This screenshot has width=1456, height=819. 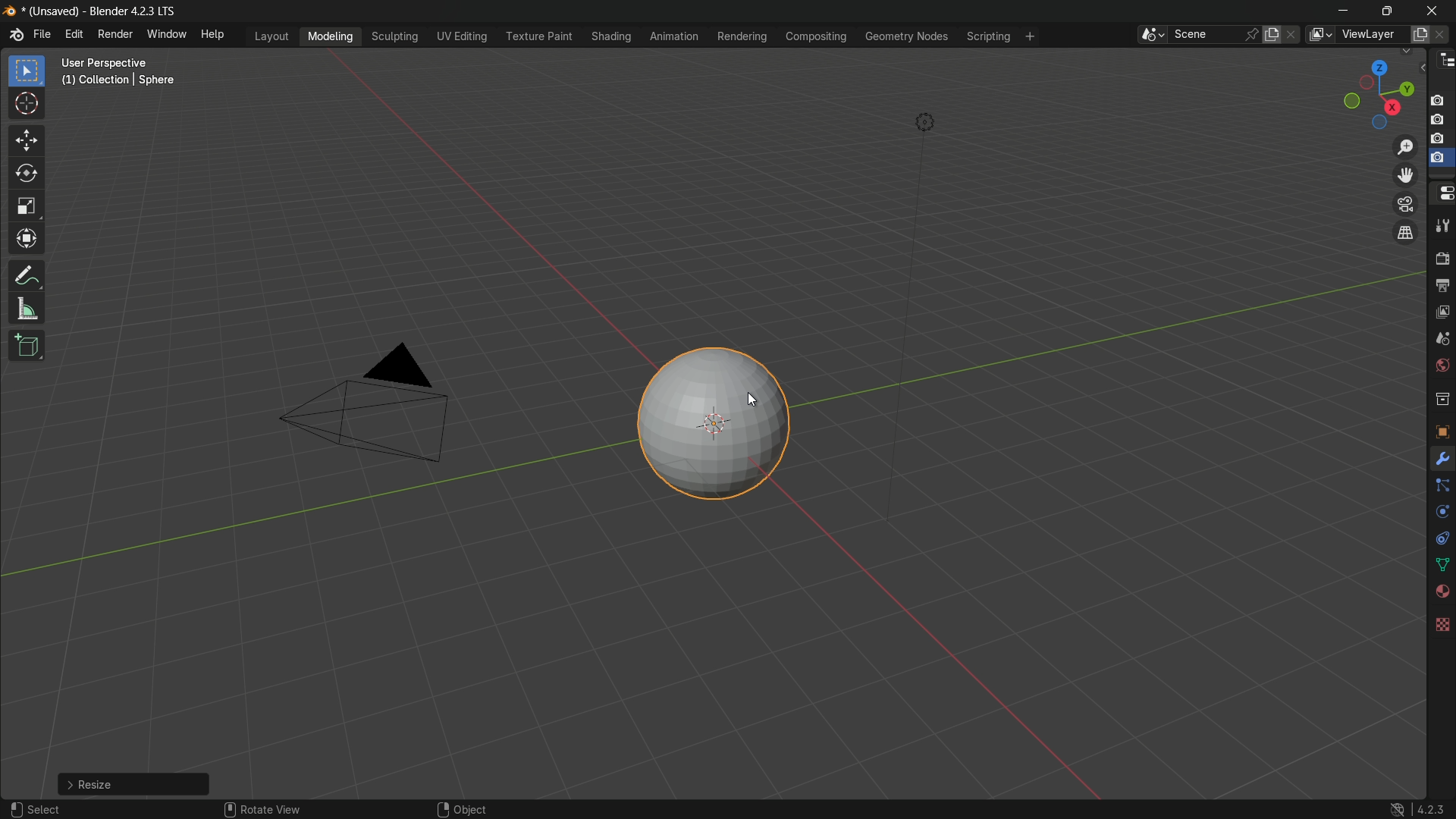 What do you see at coordinates (1439, 95) in the screenshot?
I see `capture` at bounding box center [1439, 95].